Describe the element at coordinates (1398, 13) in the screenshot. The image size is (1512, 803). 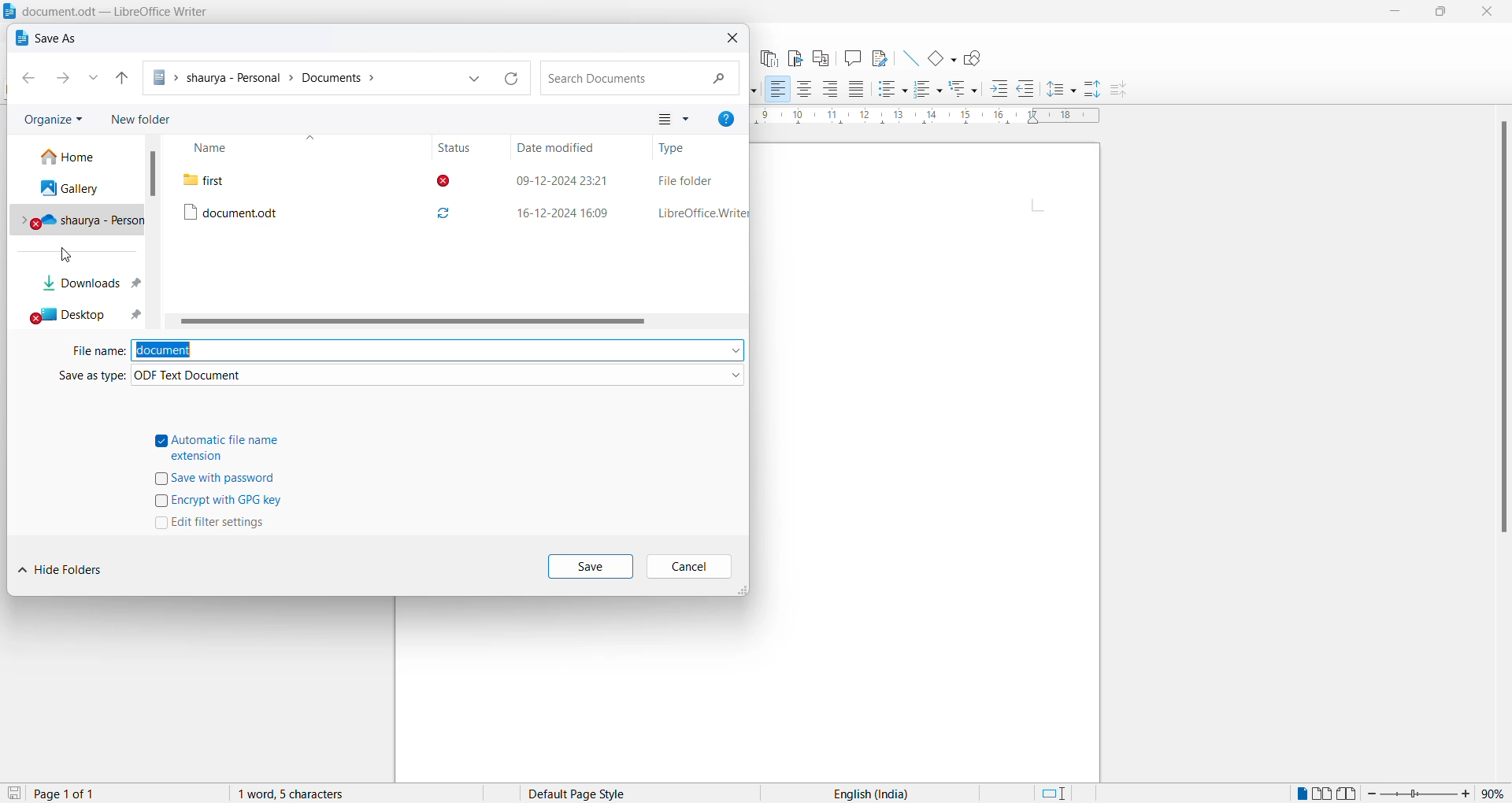
I see `minimize` at that location.